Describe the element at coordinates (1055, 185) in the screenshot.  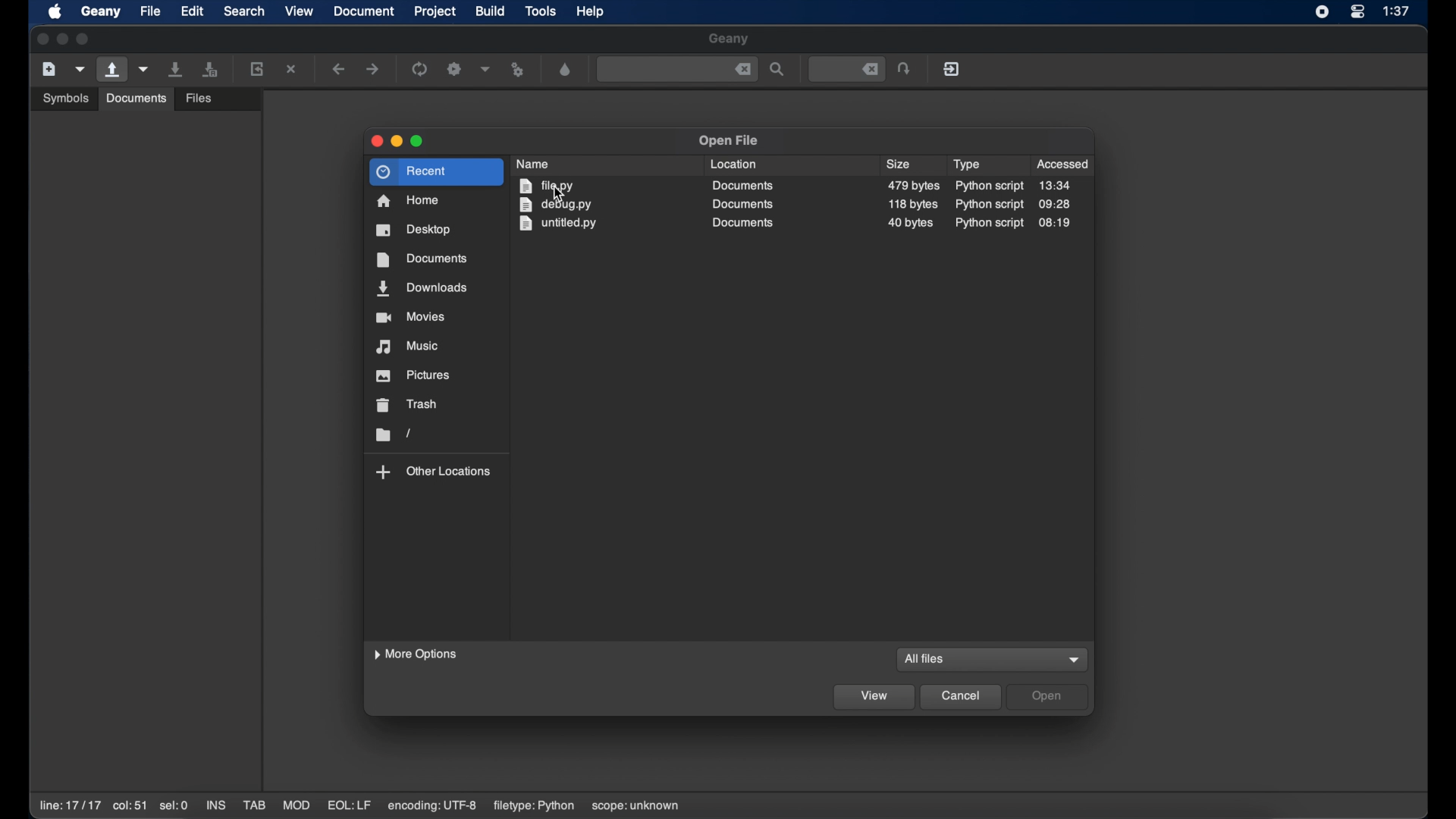
I see `13:34` at that location.